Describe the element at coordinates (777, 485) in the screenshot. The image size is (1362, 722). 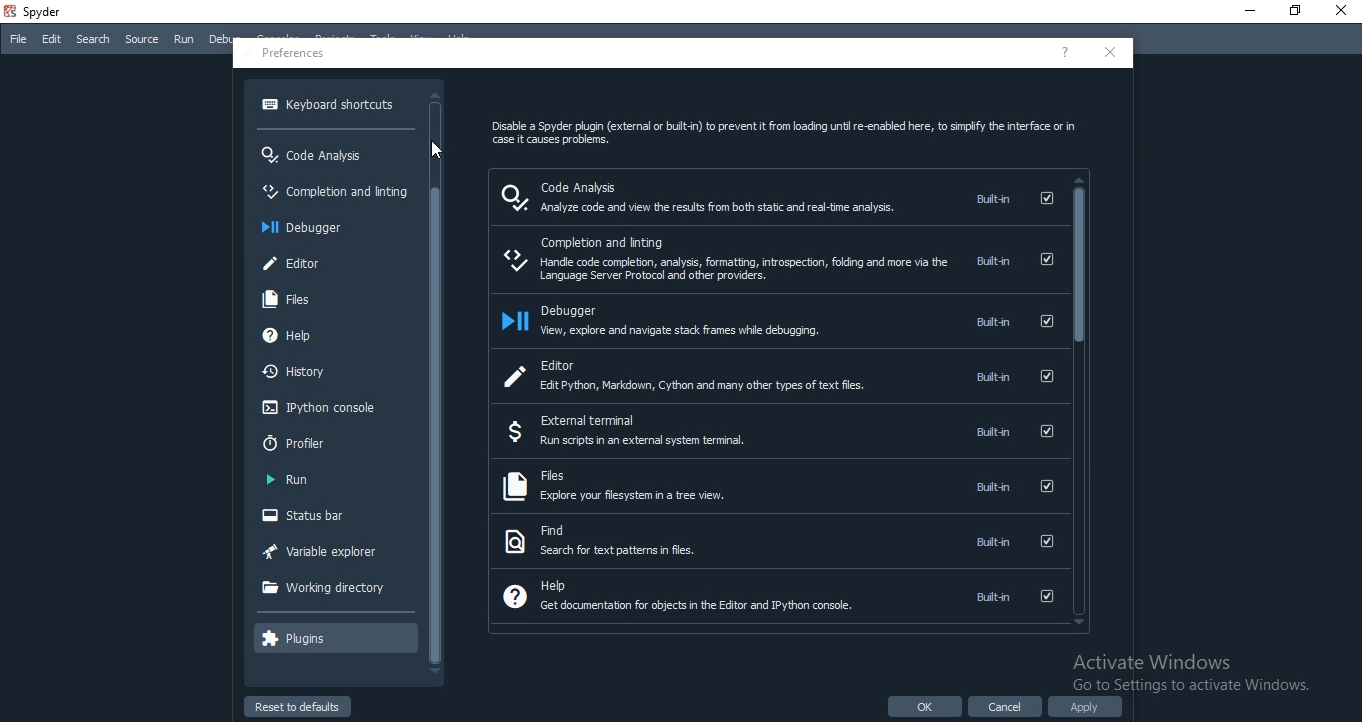
I see `files` at that location.